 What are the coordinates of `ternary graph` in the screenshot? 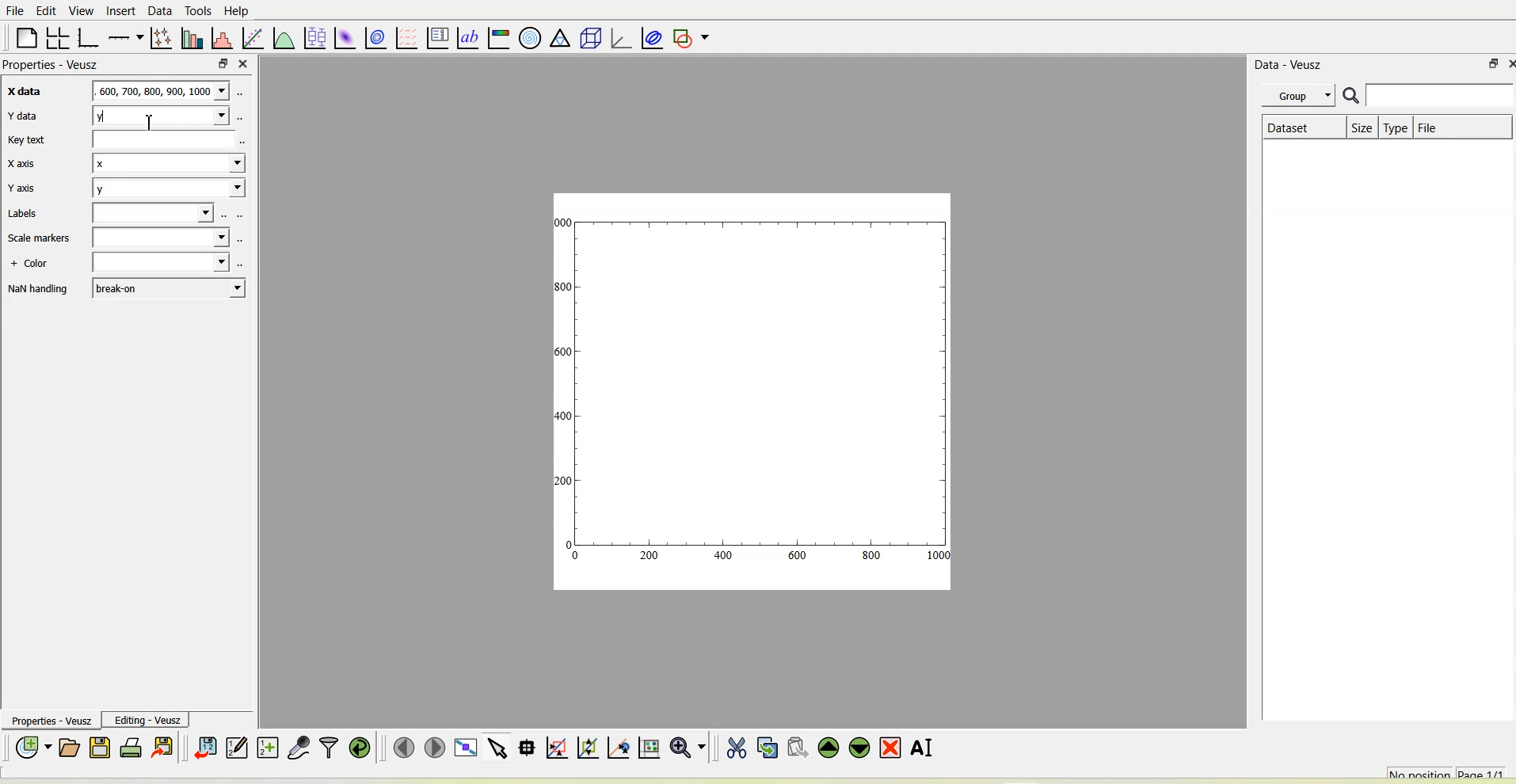 It's located at (560, 38).